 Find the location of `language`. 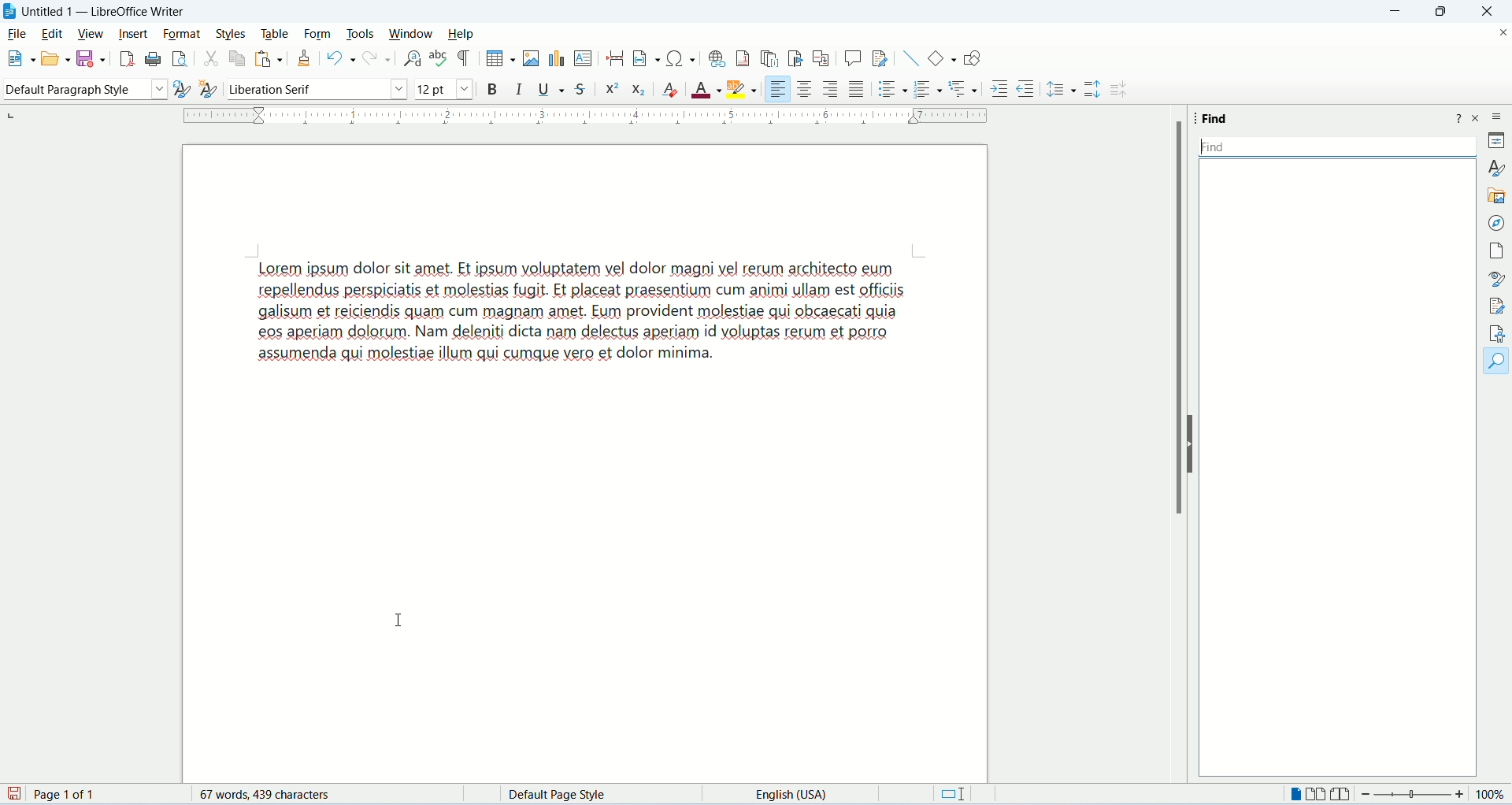

language is located at coordinates (793, 796).